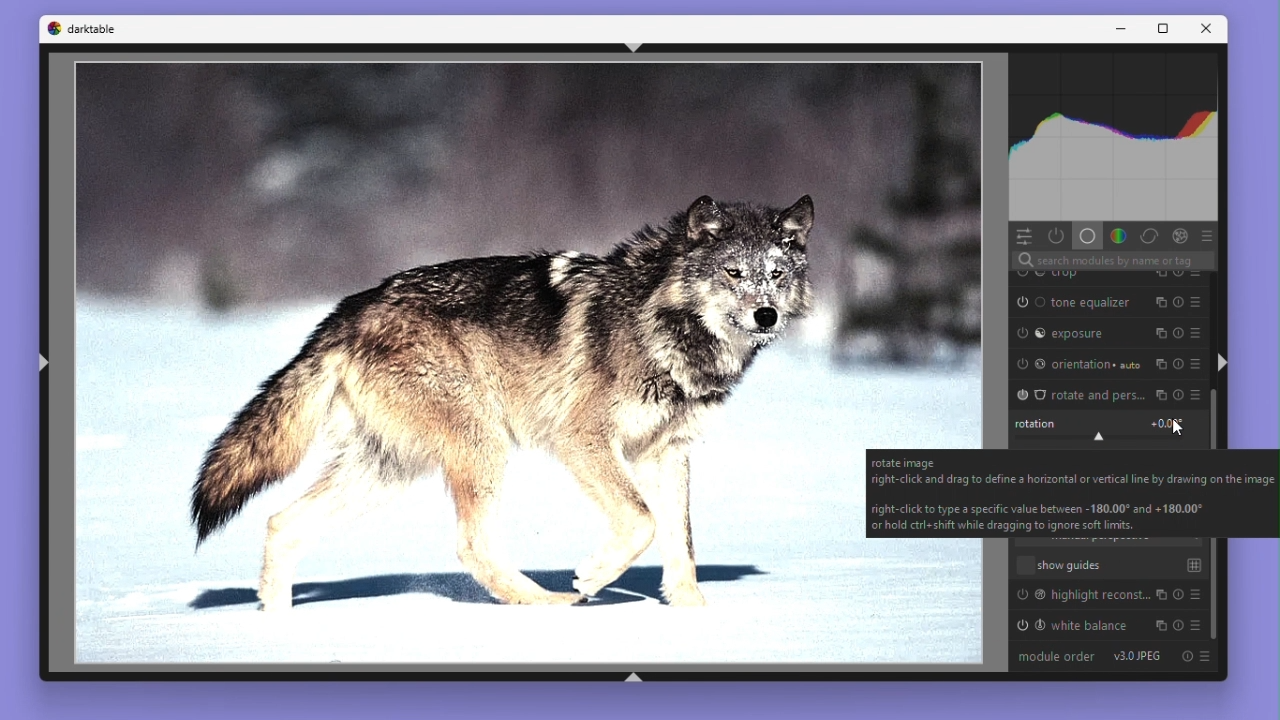  Describe the element at coordinates (1107, 393) in the screenshot. I see `Rotate and perspective` at that location.